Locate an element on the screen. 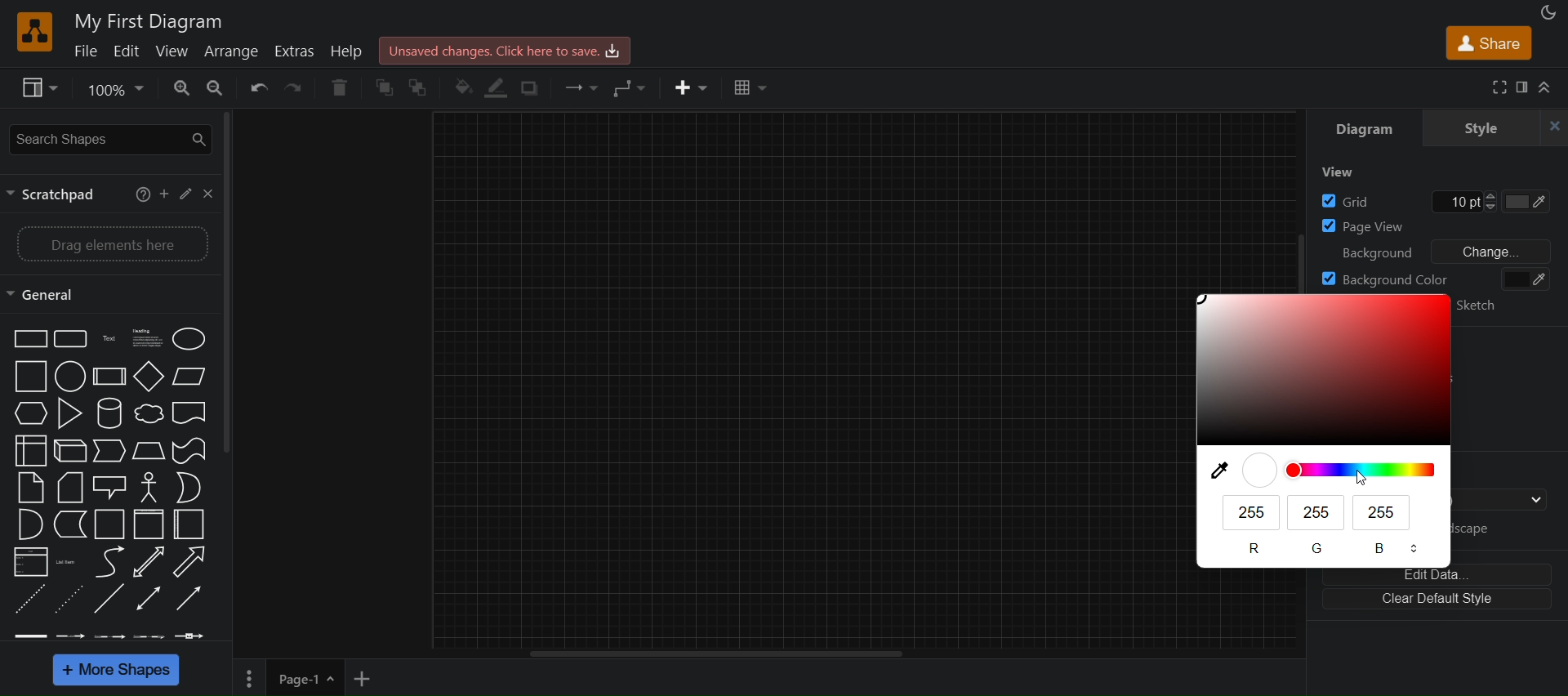 This screenshot has height=696, width=1568. redo is located at coordinates (296, 88).